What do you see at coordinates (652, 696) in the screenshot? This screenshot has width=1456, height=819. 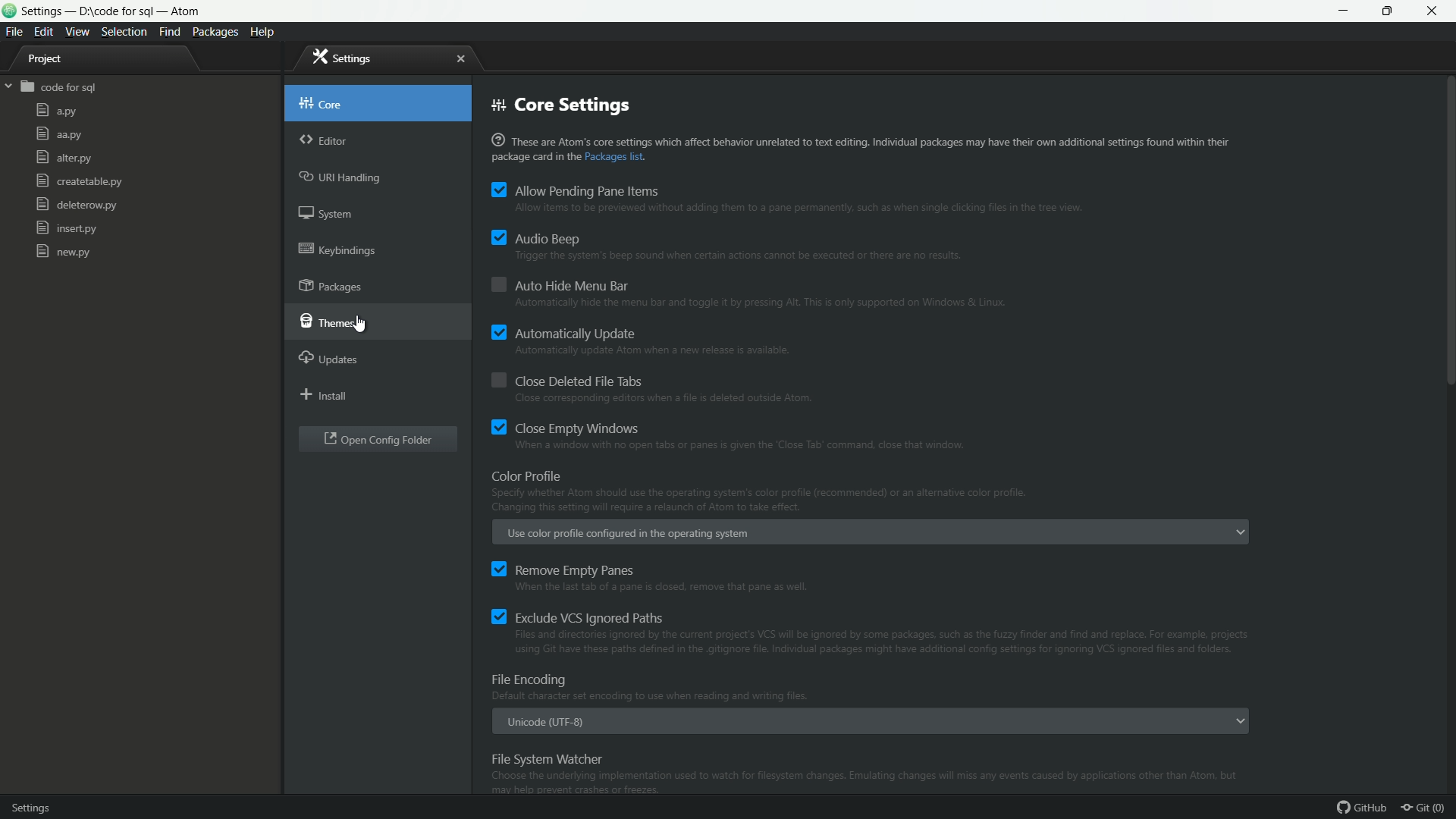 I see `default character set encoding to use when reading and writing files. ` at bounding box center [652, 696].